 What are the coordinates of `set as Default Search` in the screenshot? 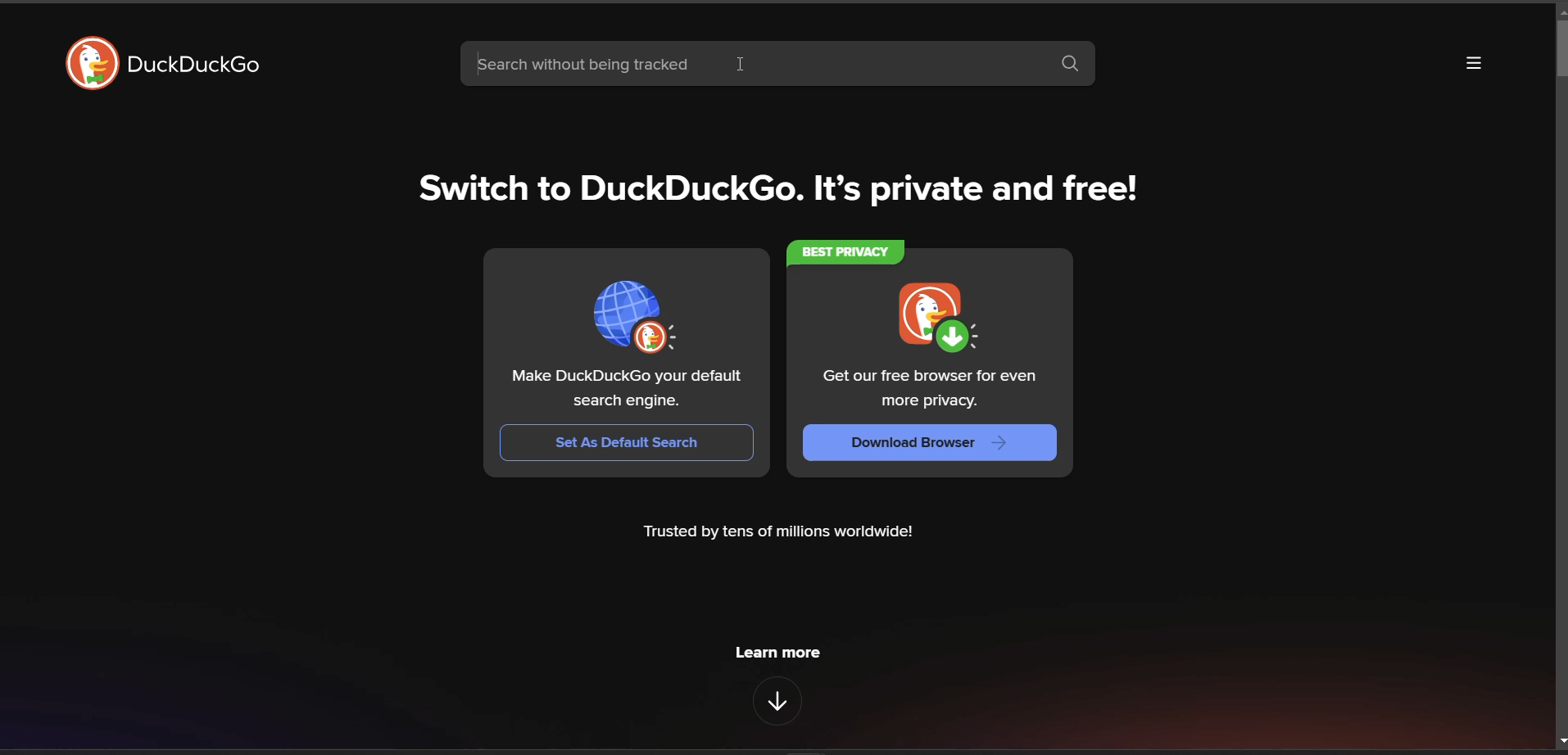 It's located at (628, 442).